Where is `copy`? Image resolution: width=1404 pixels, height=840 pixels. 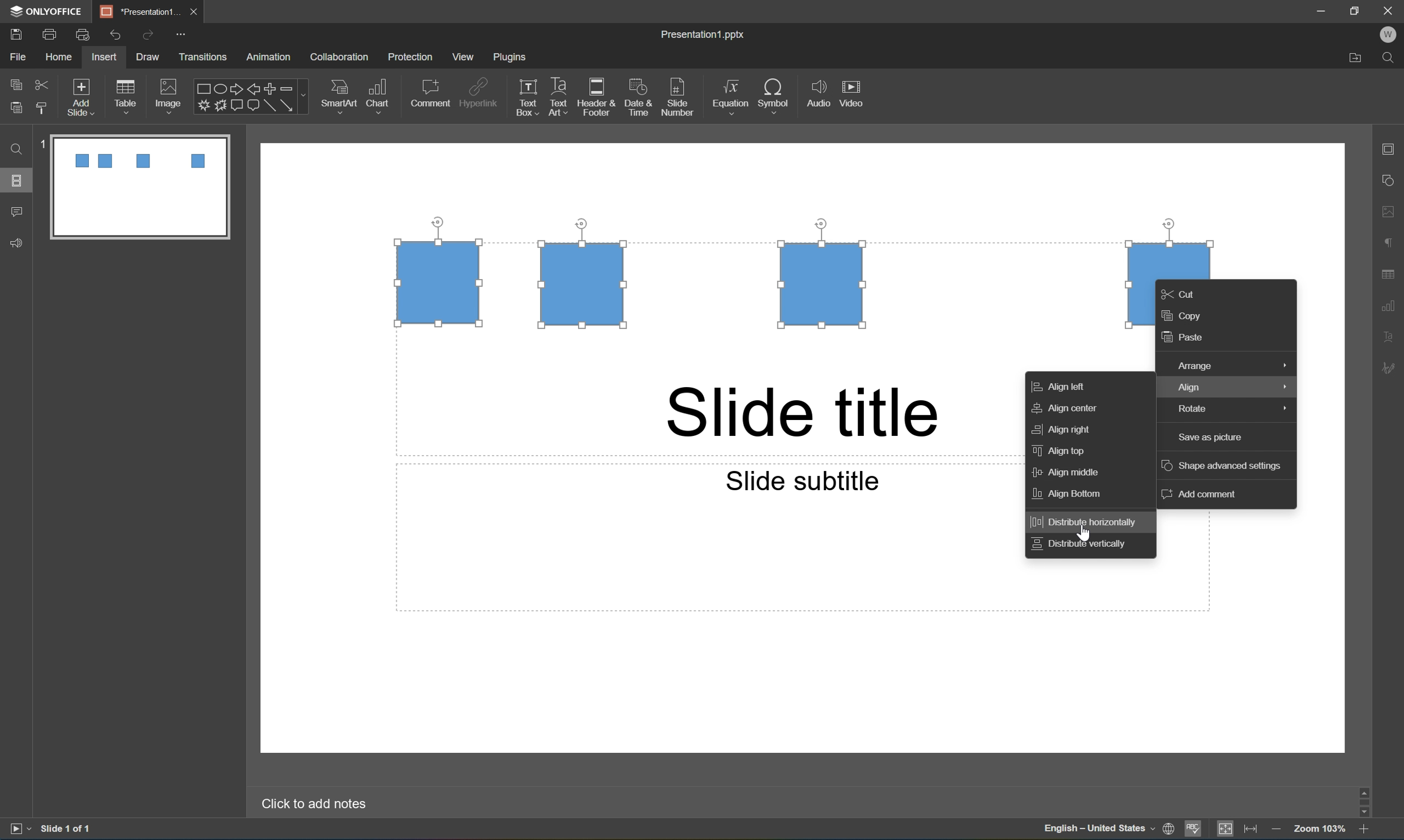 copy is located at coordinates (15, 83).